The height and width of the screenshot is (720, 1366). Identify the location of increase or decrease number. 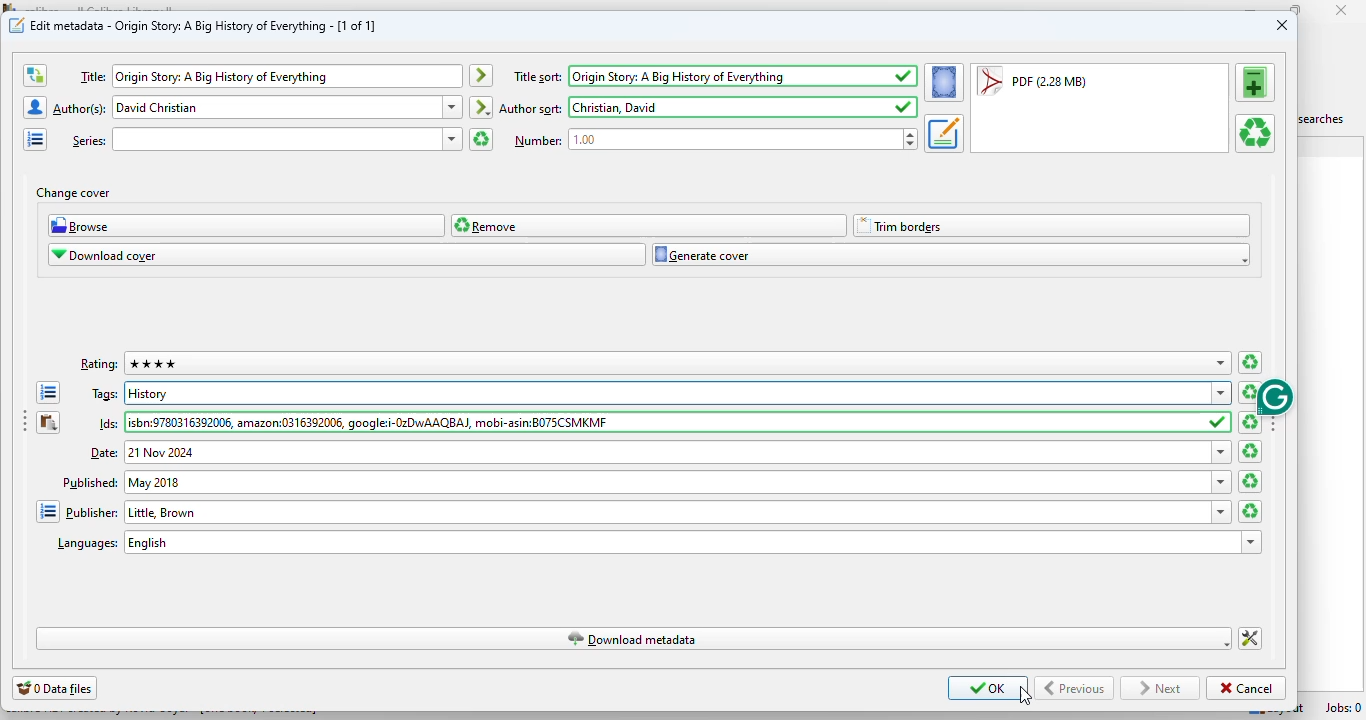
(911, 139).